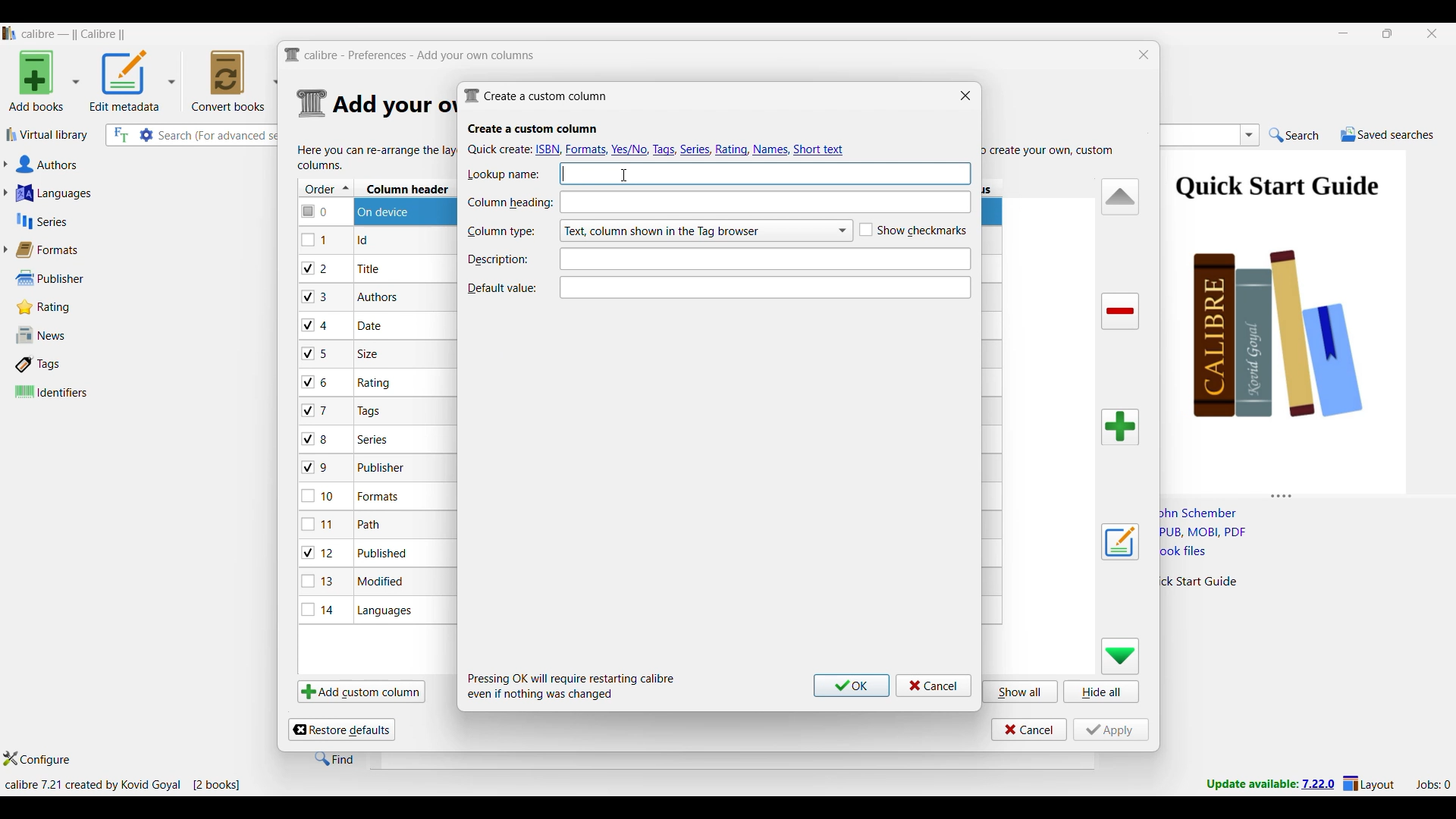 Image resolution: width=1456 pixels, height=819 pixels. Describe the element at coordinates (321, 353) in the screenshot. I see `checkbox - 5` at that location.